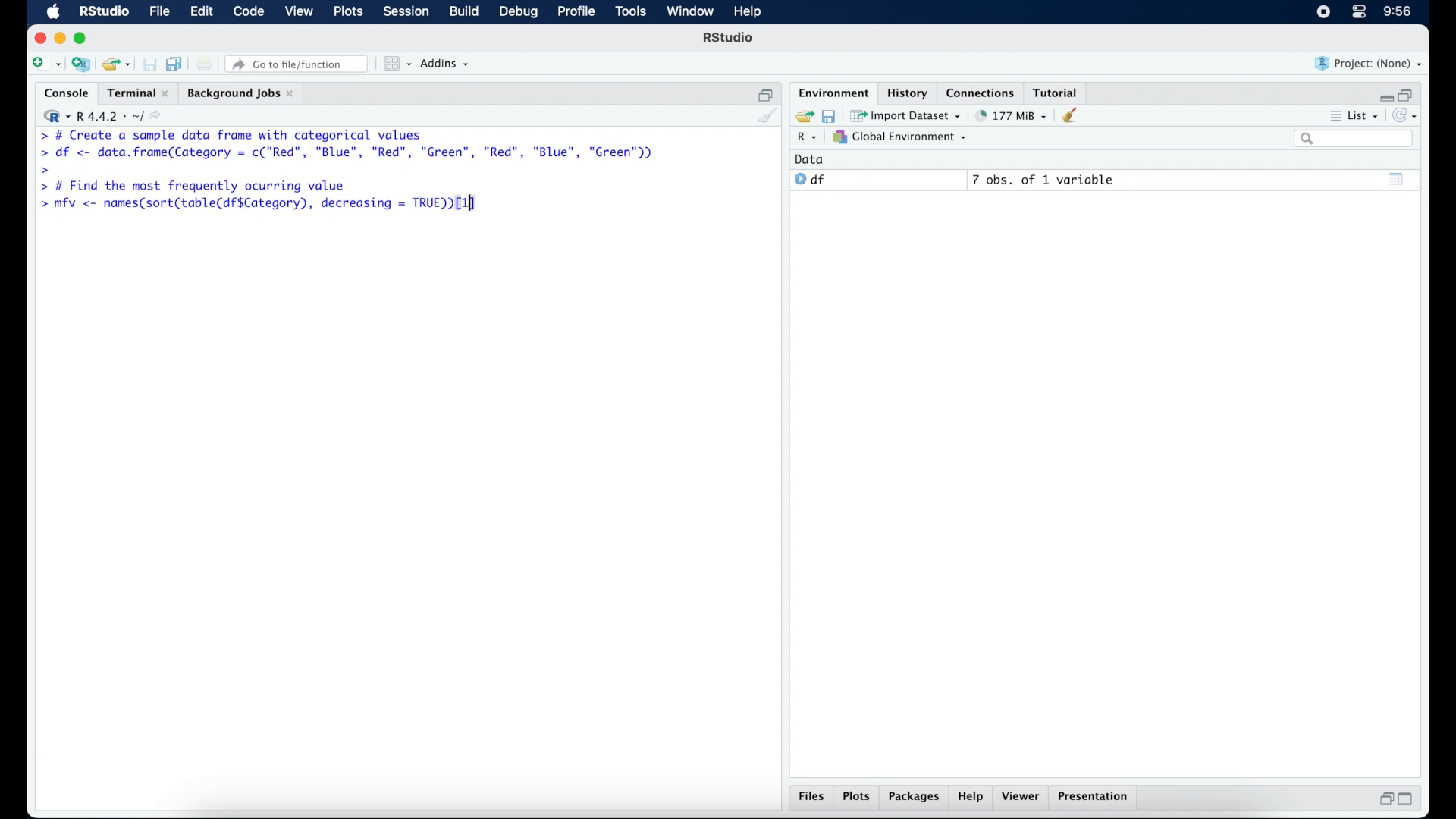 The height and width of the screenshot is (819, 1456). Describe the element at coordinates (397, 64) in the screenshot. I see `workspace panes` at that location.